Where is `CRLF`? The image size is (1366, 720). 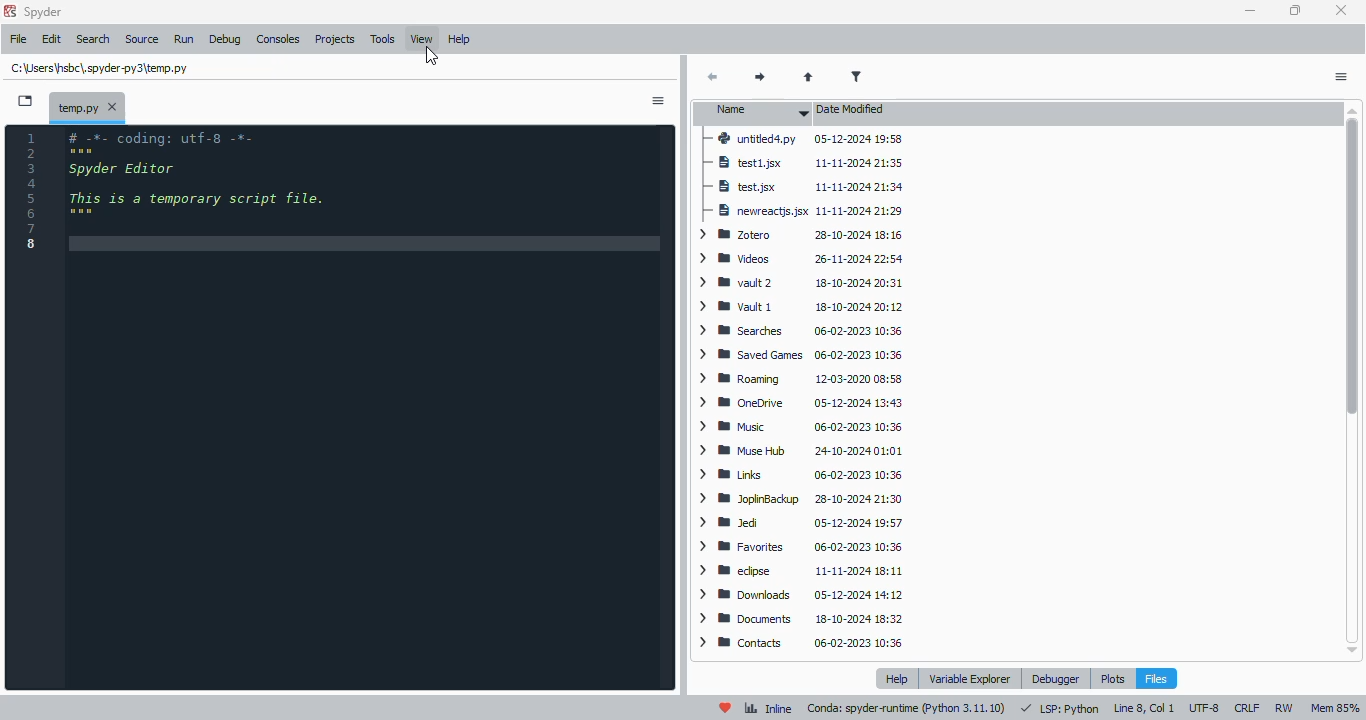 CRLF is located at coordinates (1246, 707).